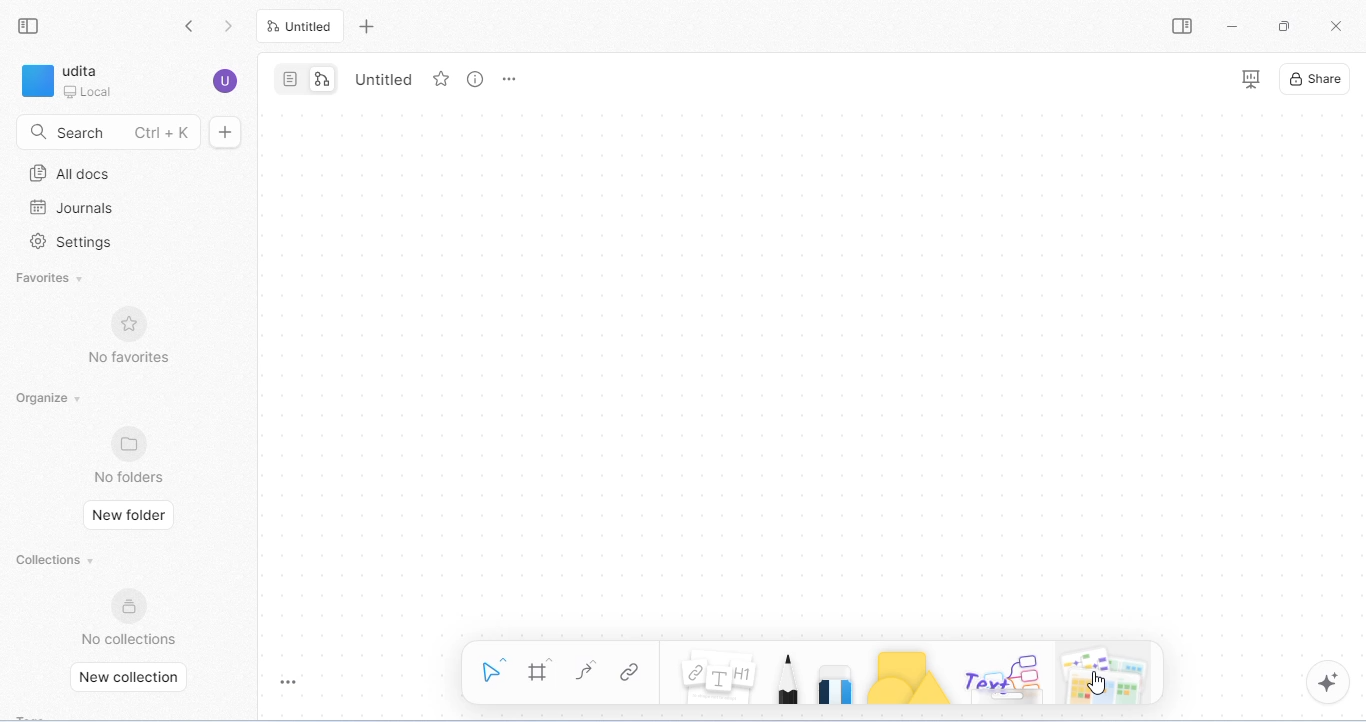  Describe the element at coordinates (135, 678) in the screenshot. I see `new collection` at that location.